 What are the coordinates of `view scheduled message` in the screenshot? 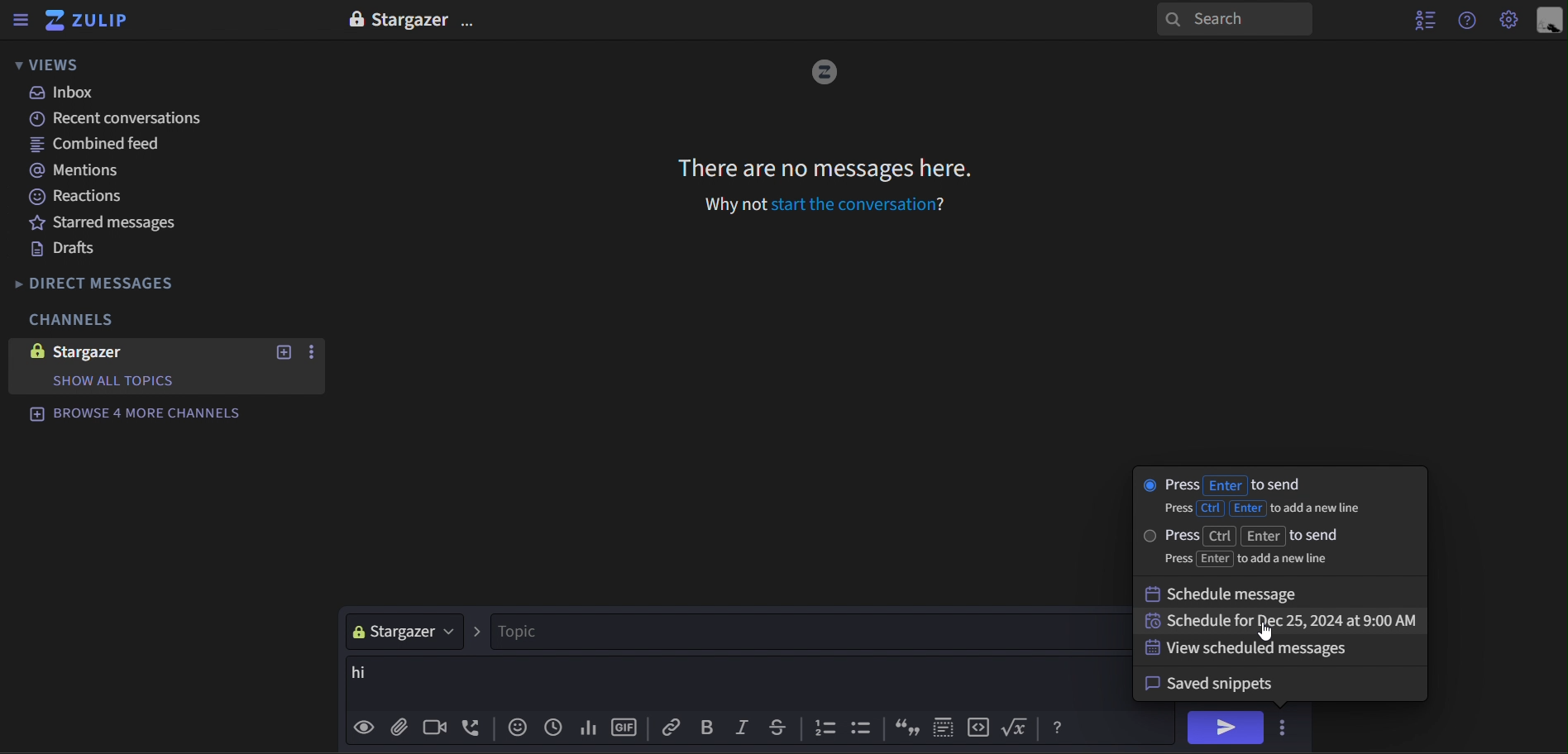 It's located at (1282, 647).